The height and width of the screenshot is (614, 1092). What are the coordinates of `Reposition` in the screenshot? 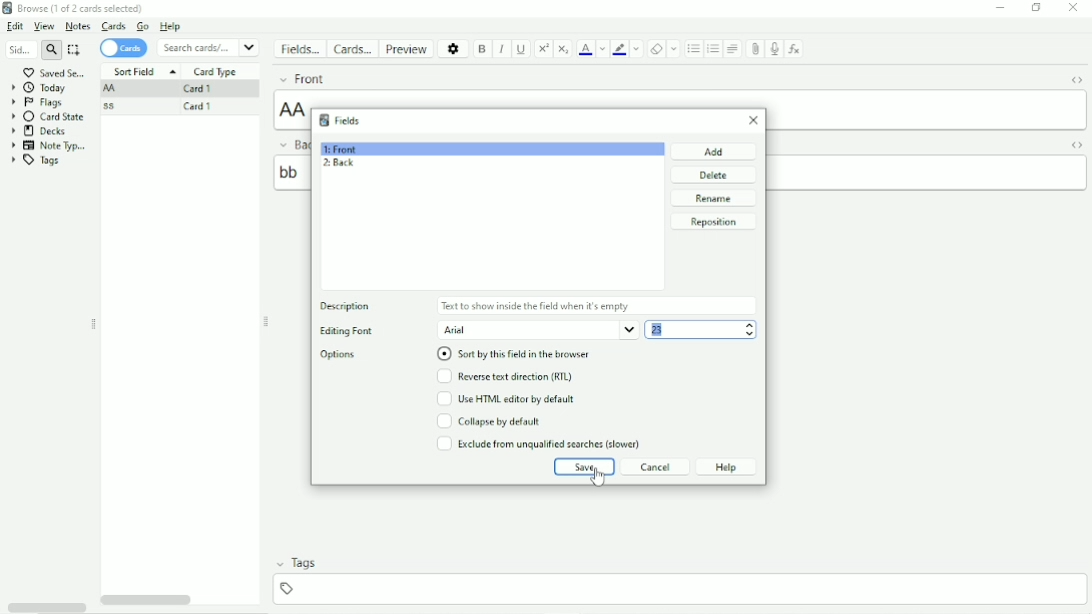 It's located at (714, 222).